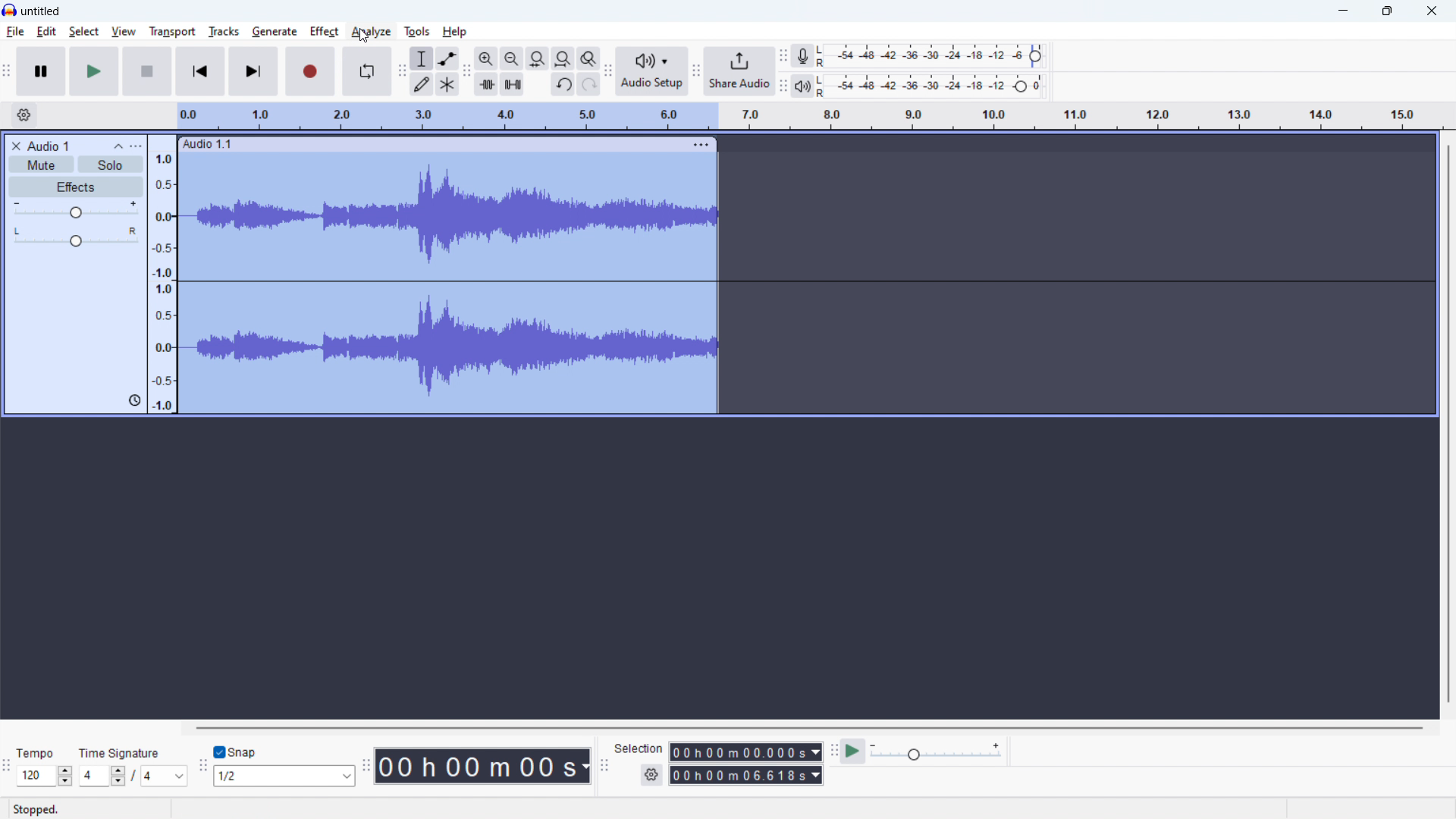 The image size is (1456, 819). Describe the element at coordinates (452, 287) in the screenshot. I see `track selected` at that location.